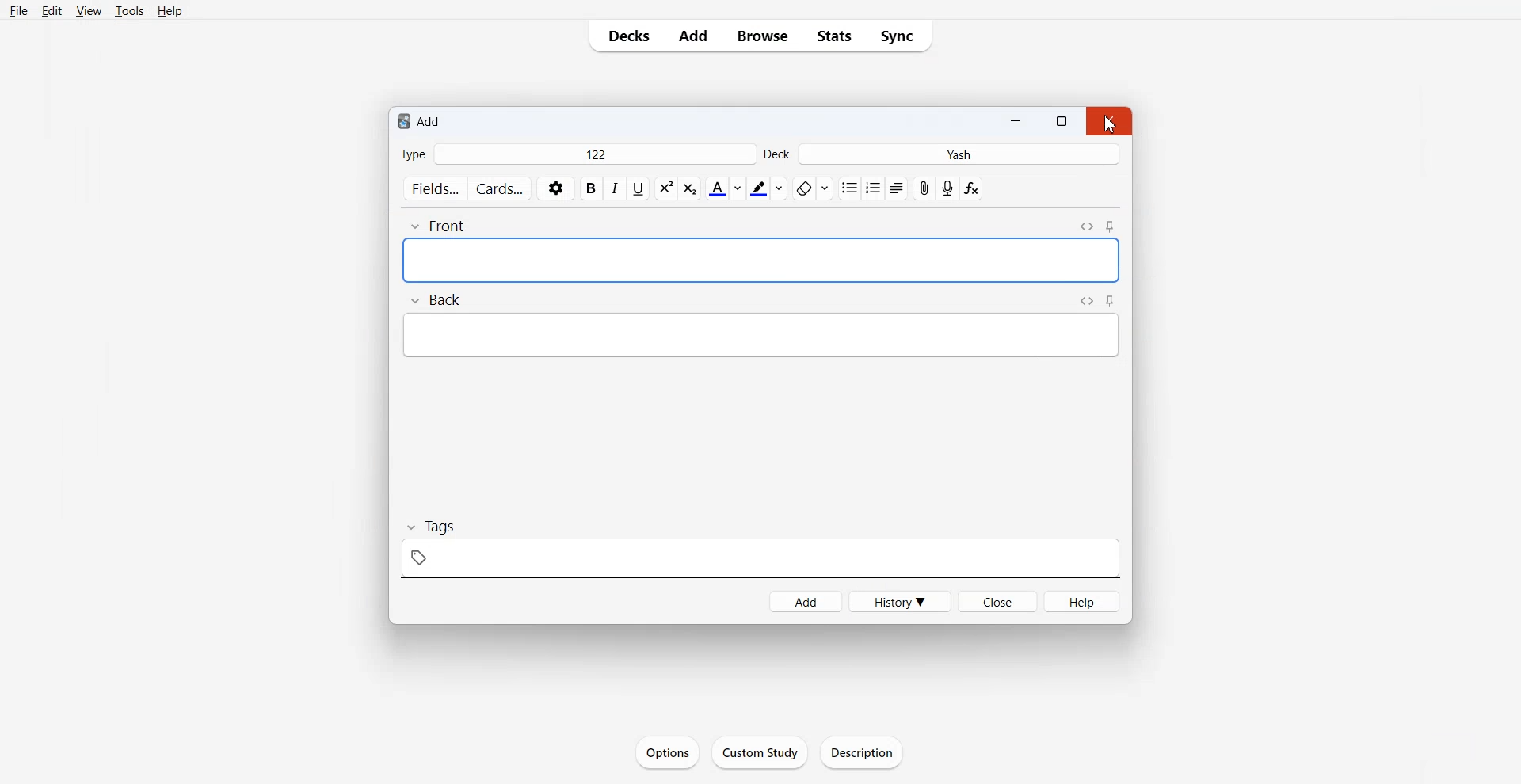 This screenshot has height=784, width=1521. I want to click on Subscript, so click(666, 188).